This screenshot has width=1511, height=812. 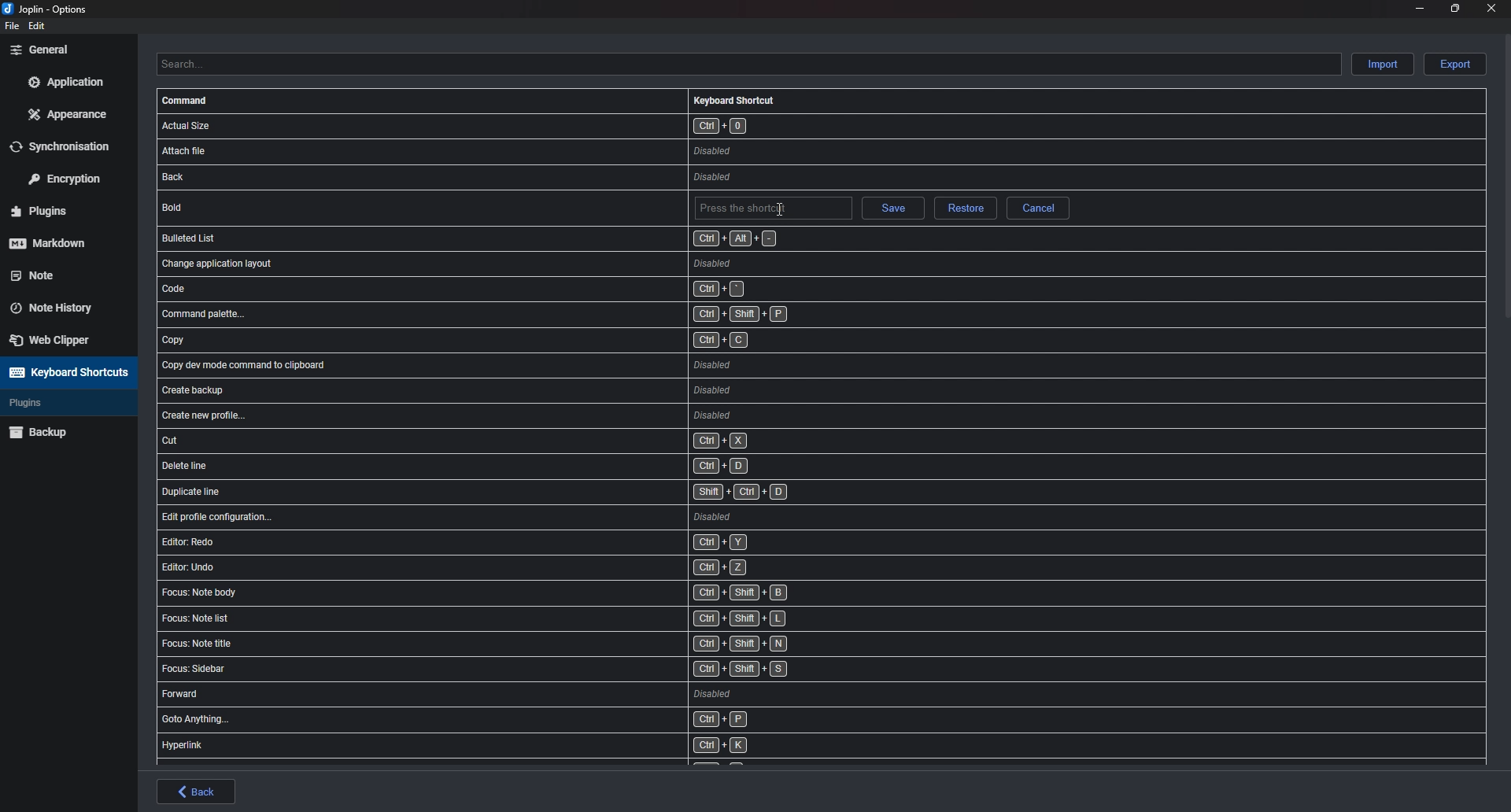 I want to click on close, so click(x=1489, y=8).